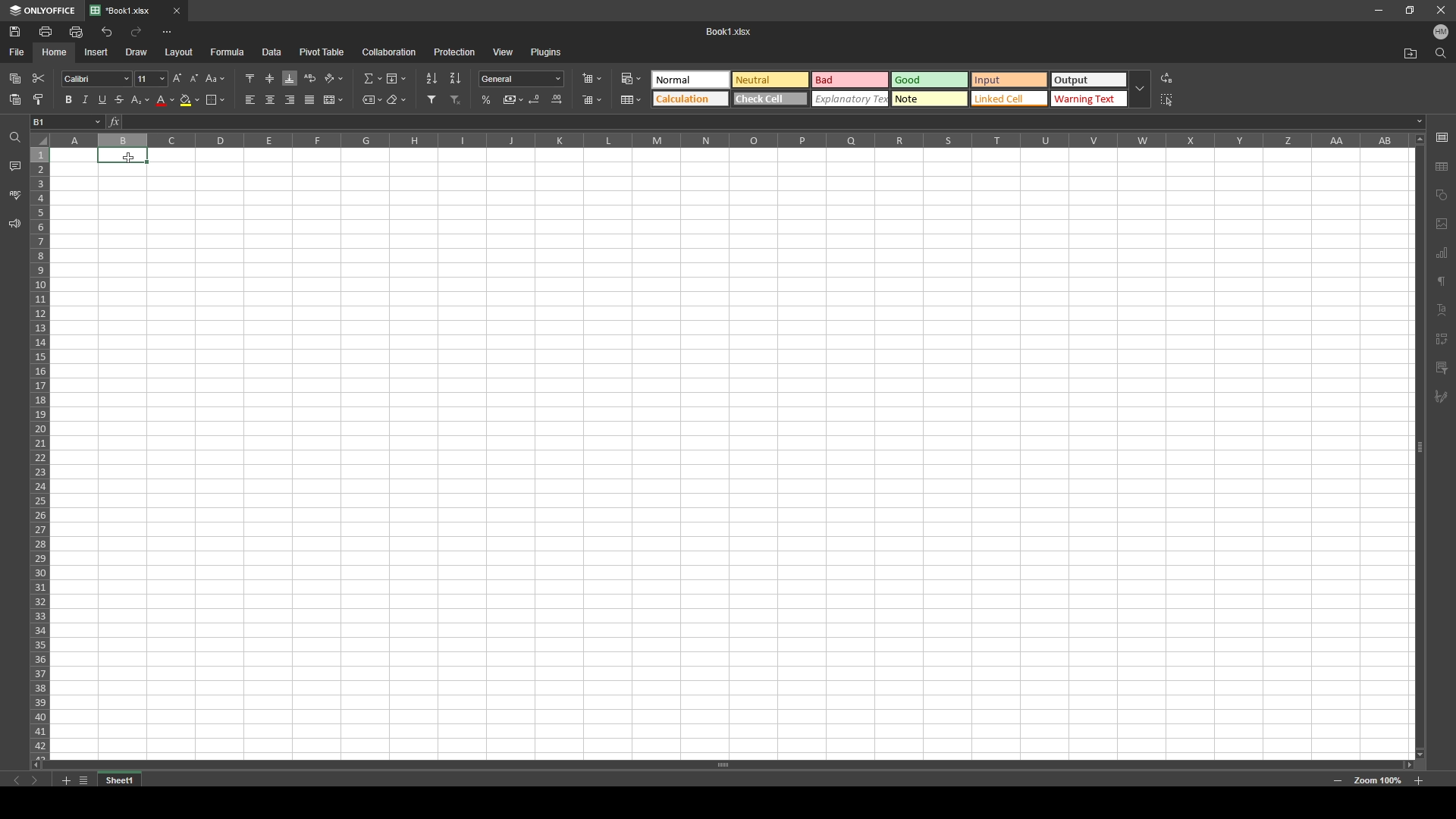  What do you see at coordinates (39, 78) in the screenshot?
I see `cut` at bounding box center [39, 78].